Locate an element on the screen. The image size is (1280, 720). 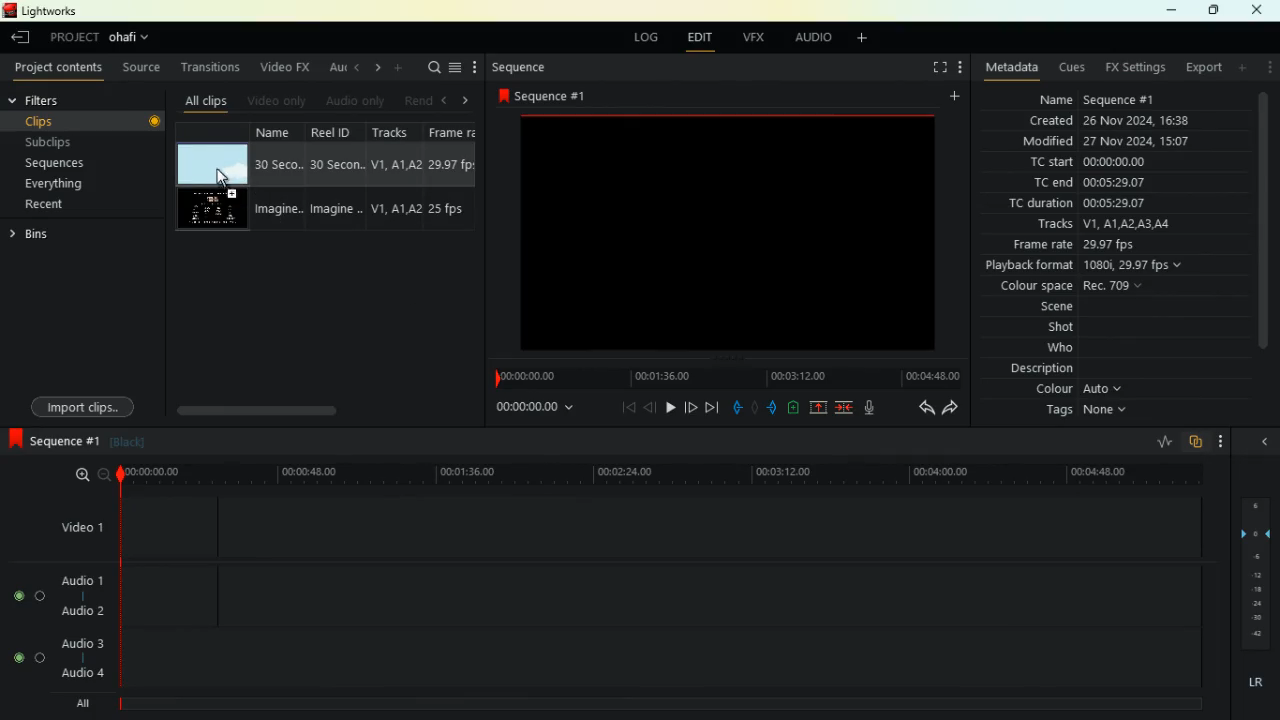
add is located at coordinates (952, 98).